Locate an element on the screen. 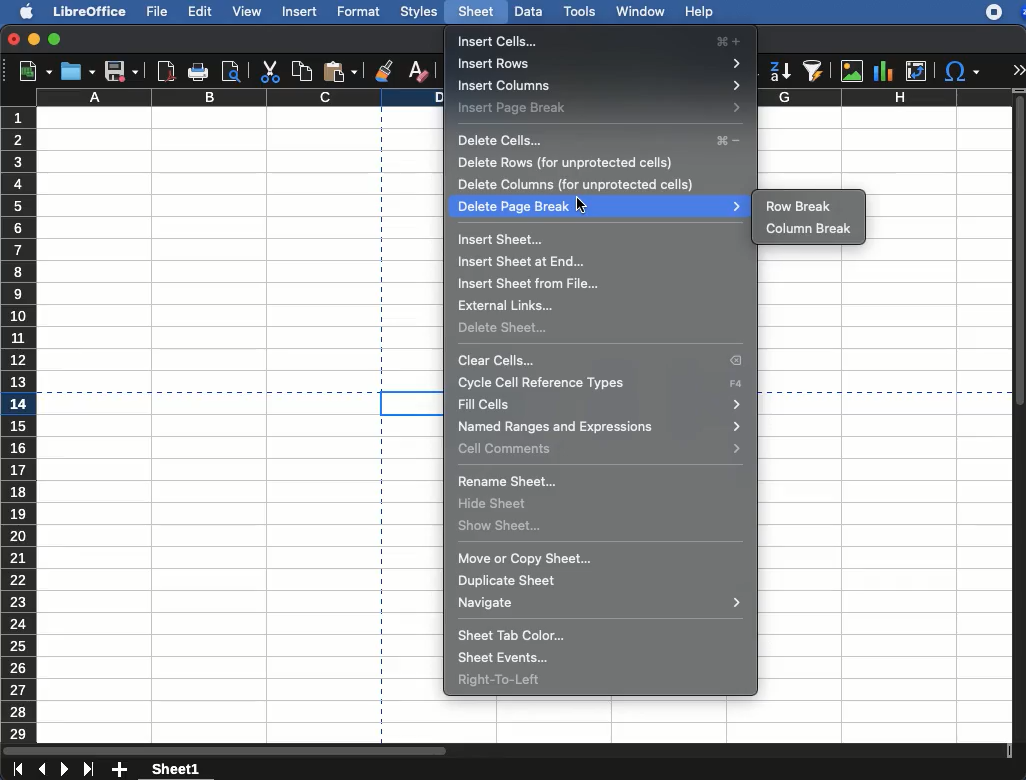 The width and height of the screenshot is (1026, 780). chart is located at coordinates (884, 72).